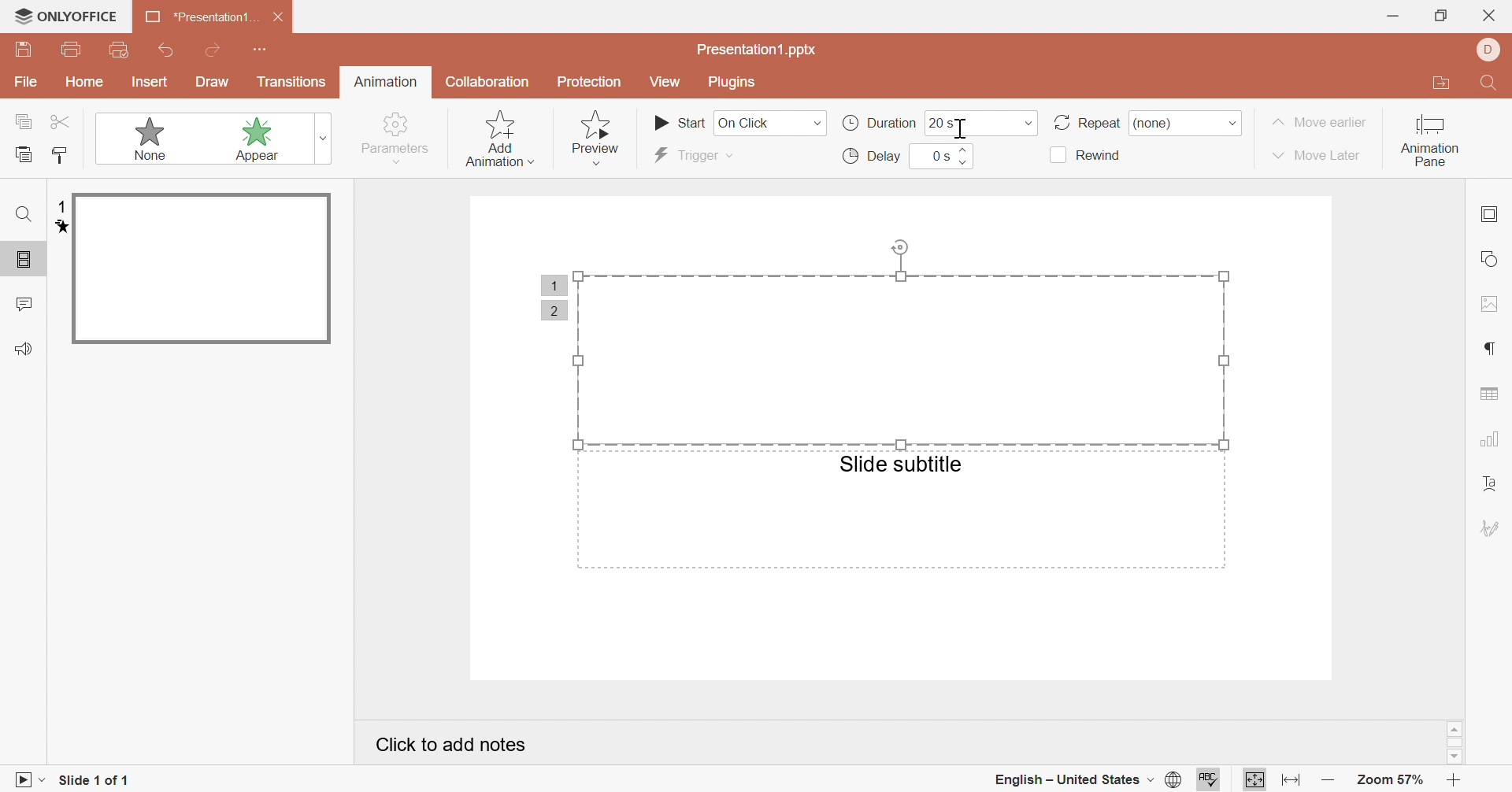 Image resolution: width=1512 pixels, height=792 pixels. What do you see at coordinates (1457, 781) in the screenshot?
I see `zoom in` at bounding box center [1457, 781].